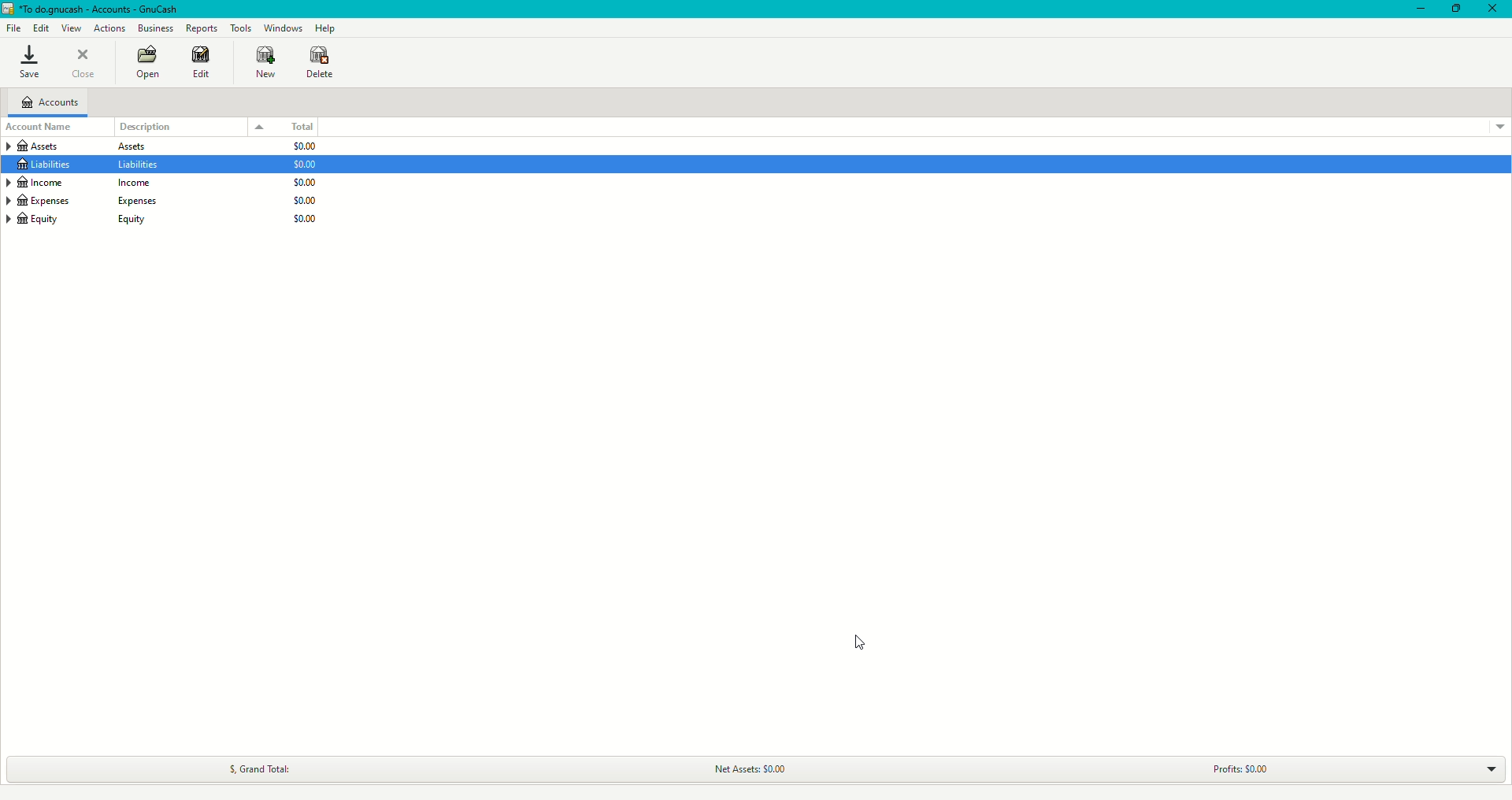 Image resolution: width=1512 pixels, height=800 pixels. Describe the element at coordinates (84, 62) in the screenshot. I see `Close` at that location.